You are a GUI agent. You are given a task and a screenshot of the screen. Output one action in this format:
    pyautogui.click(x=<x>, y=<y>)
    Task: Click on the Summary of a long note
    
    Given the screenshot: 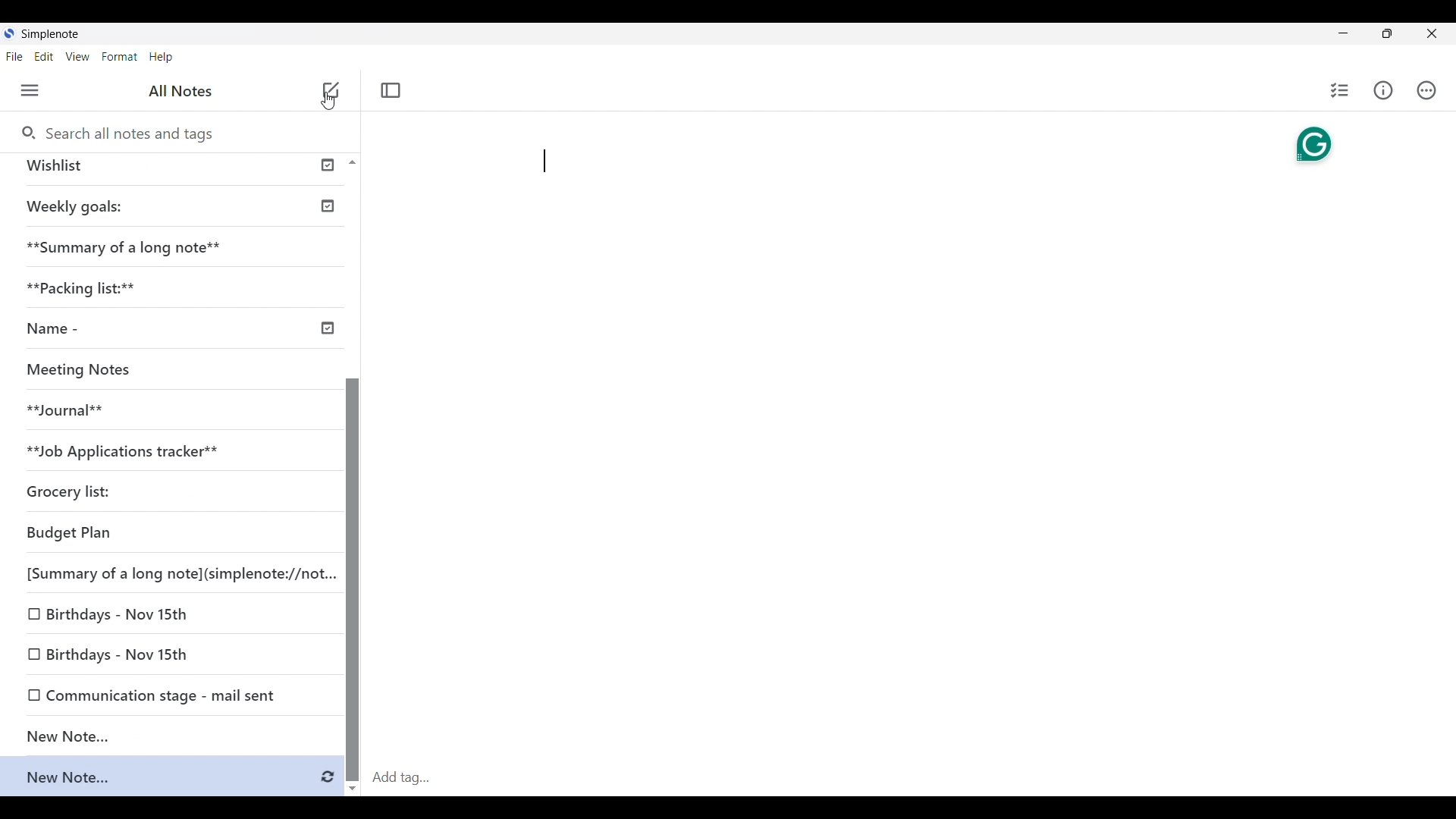 What is the action you would take?
    pyautogui.click(x=121, y=249)
    